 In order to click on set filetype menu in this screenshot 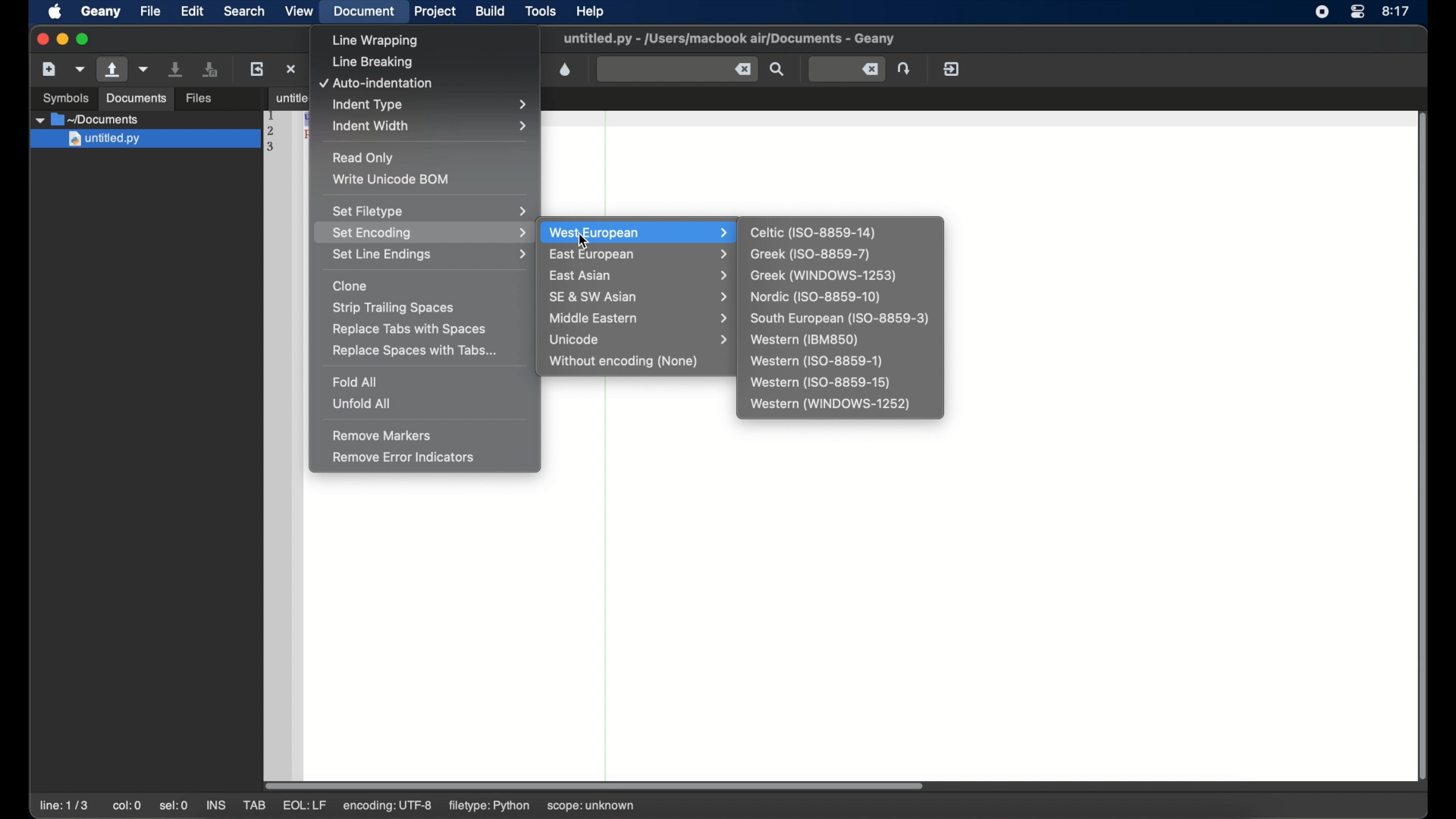, I will do `click(429, 211)`.